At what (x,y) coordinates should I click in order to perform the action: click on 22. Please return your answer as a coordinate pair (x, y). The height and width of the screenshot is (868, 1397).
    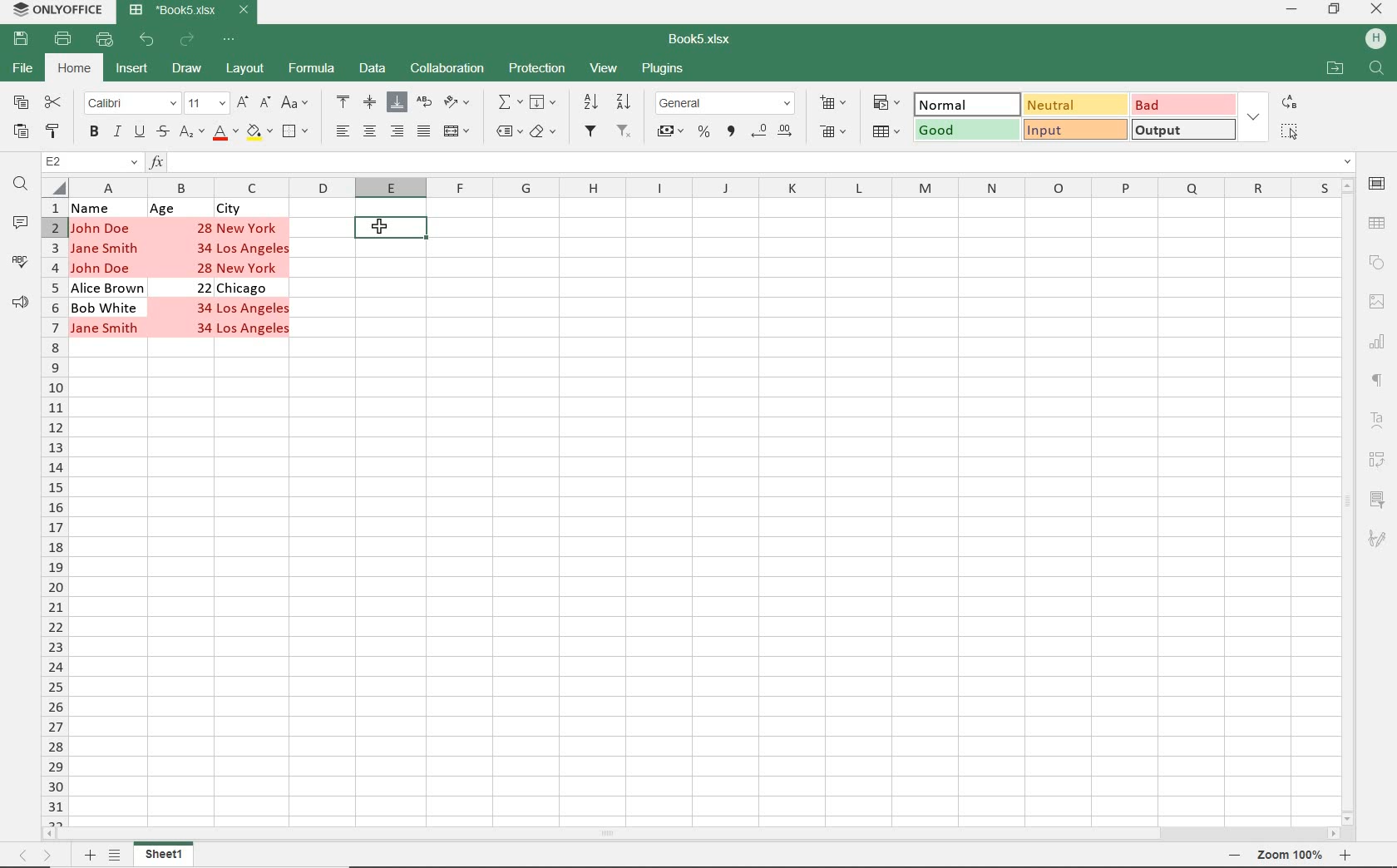
    Looking at the image, I should click on (204, 288).